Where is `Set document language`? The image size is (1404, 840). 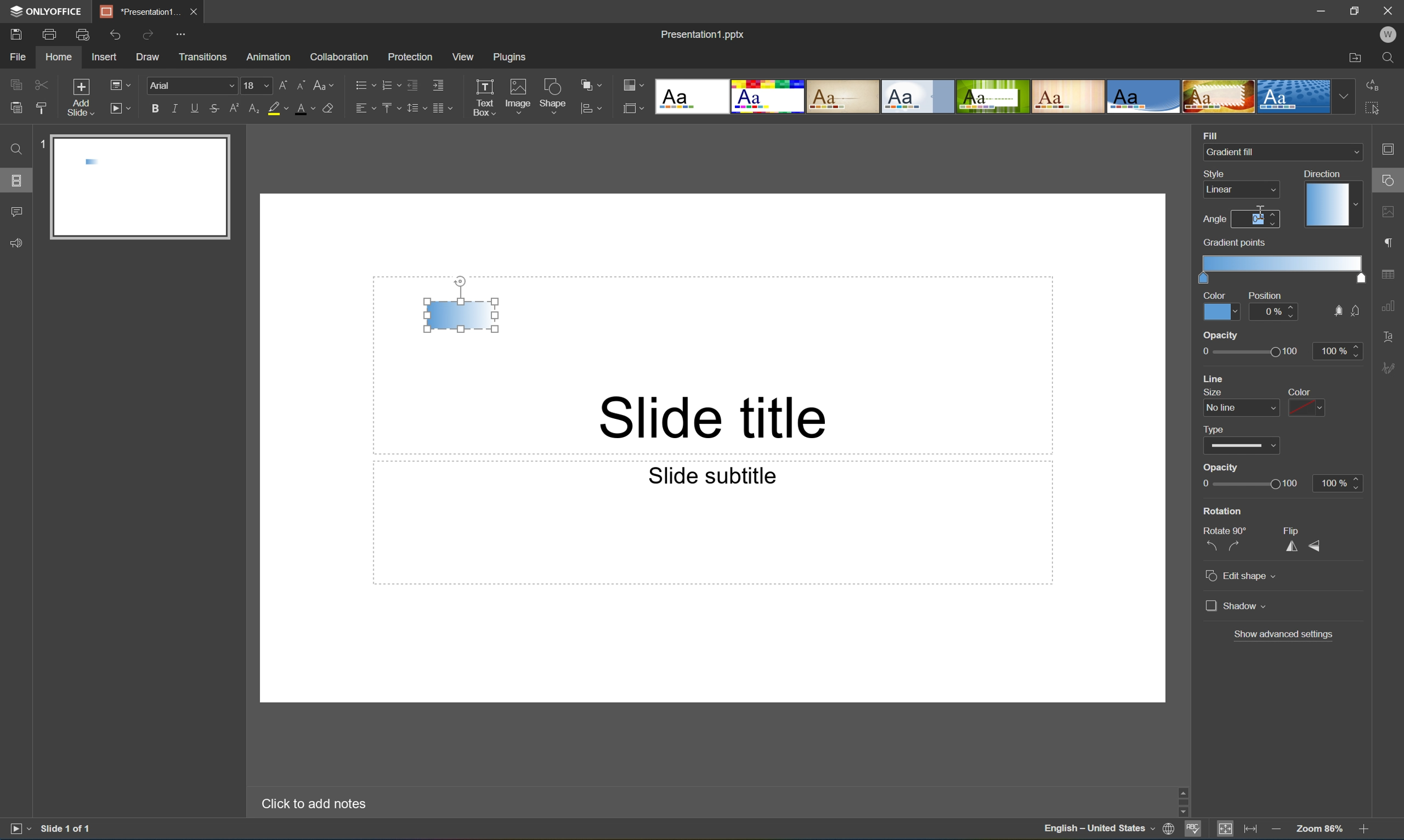 Set document language is located at coordinates (1171, 830).